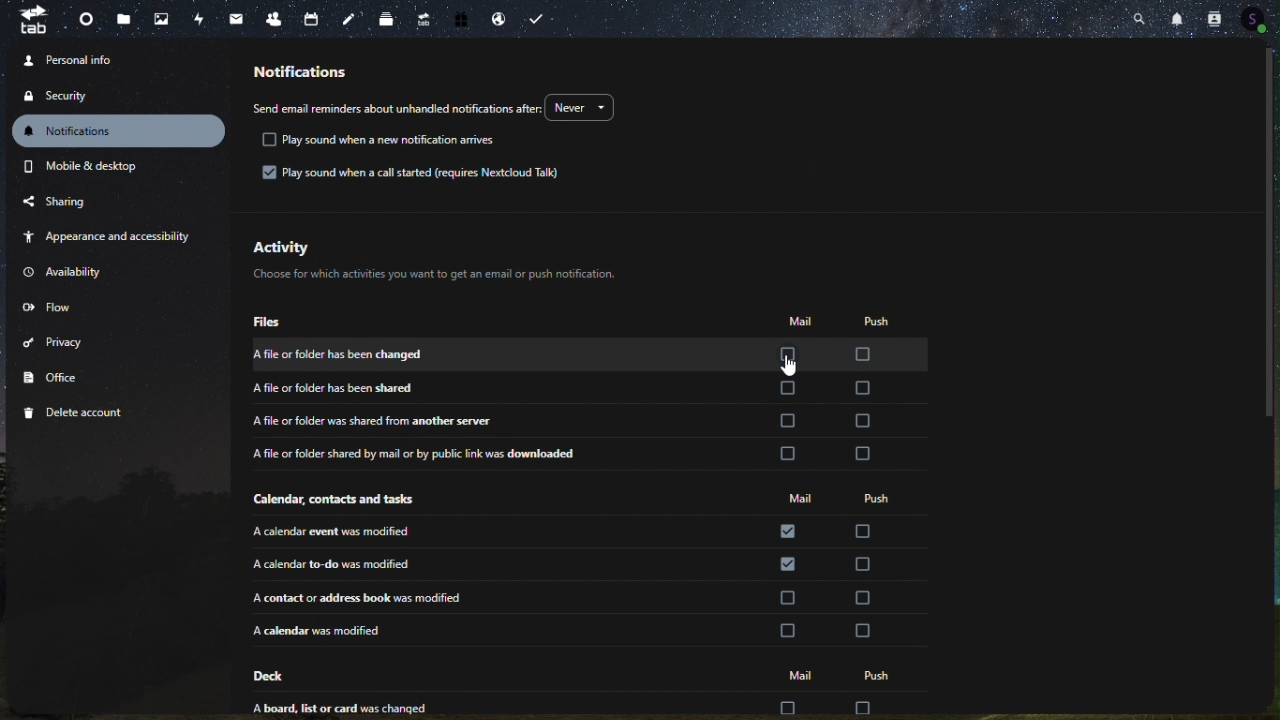 Image resolution: width=1280 pixels, height=720 pixels. Describe the element at coordinates (582, 109) in the screenshot. I see `Never` at that location.